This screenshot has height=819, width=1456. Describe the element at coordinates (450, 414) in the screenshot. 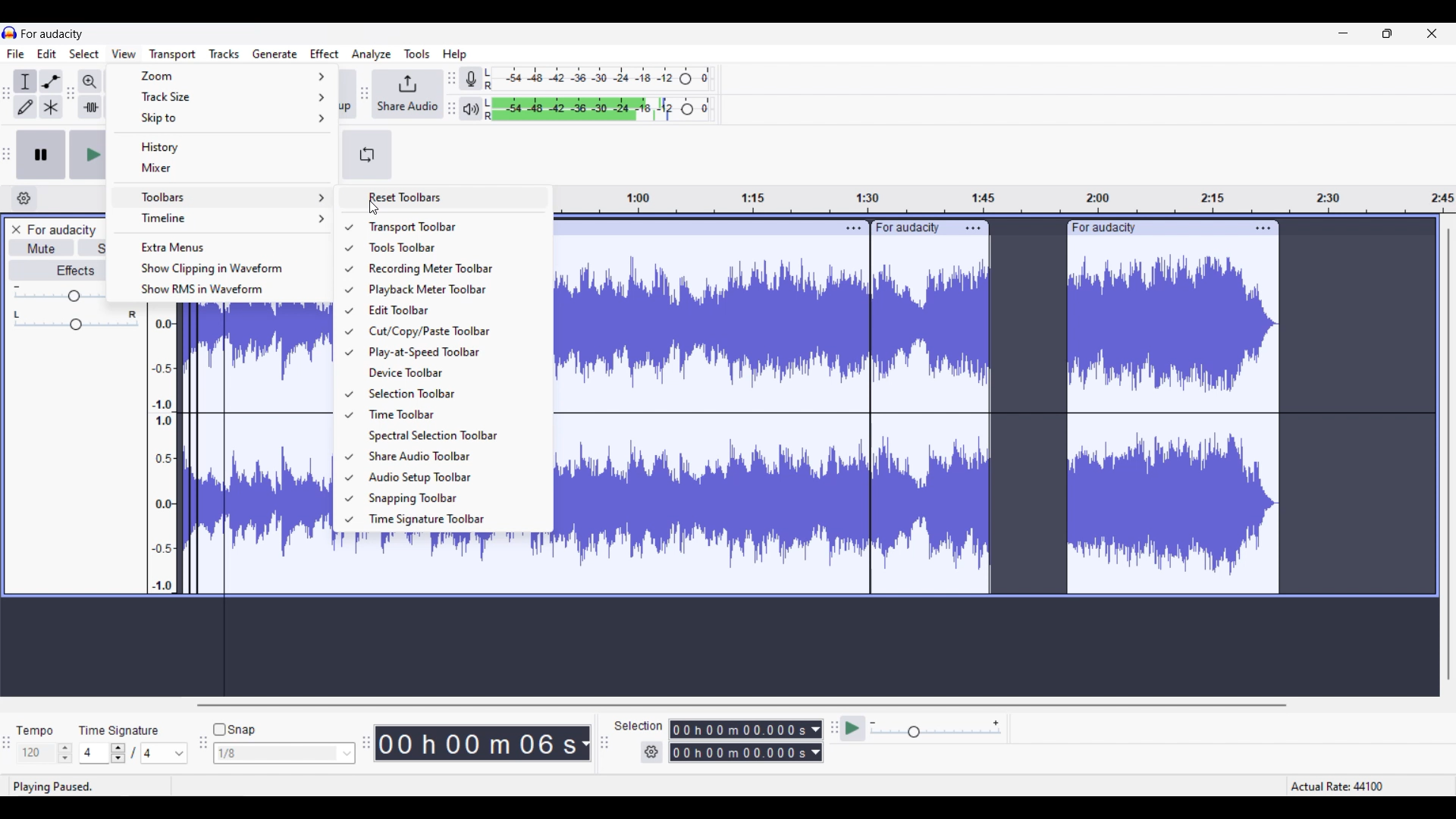

I see `Time toolbar` at that location.